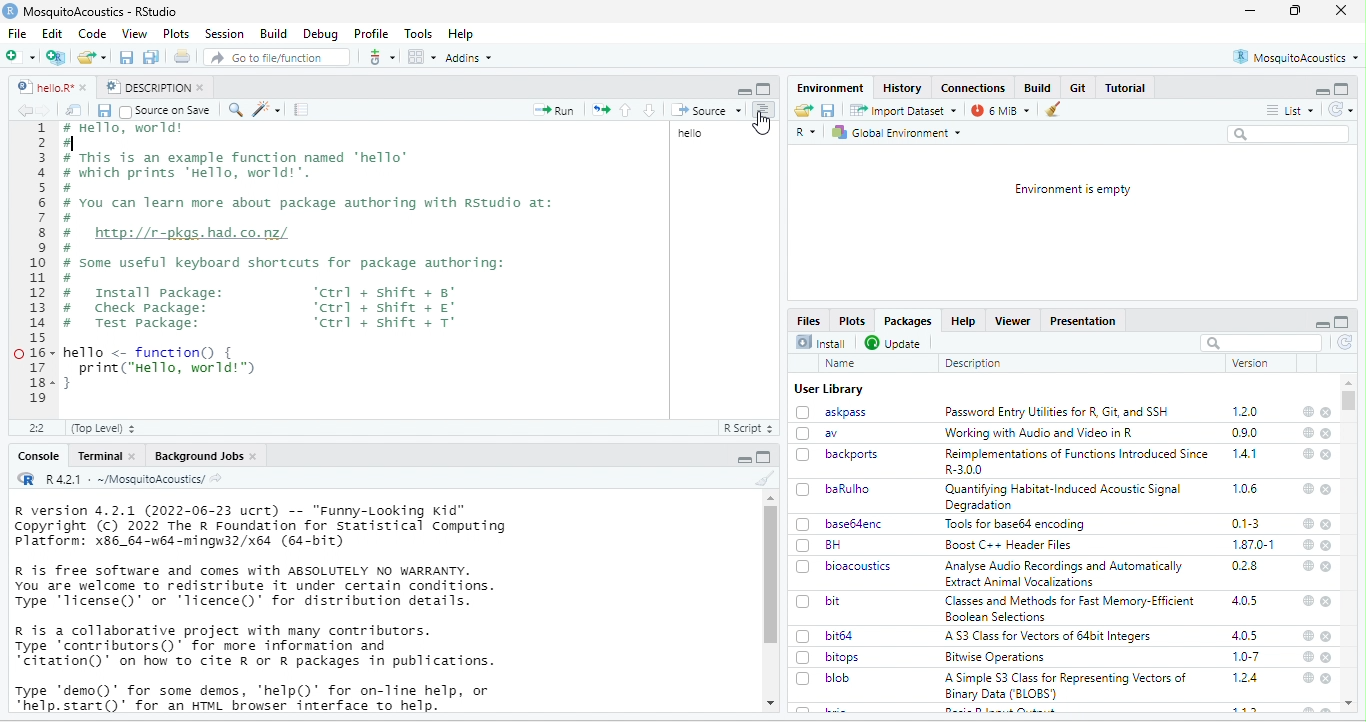  Describe the element at coordinates (1326, 412) in the screenshot. I see `close` at that location.